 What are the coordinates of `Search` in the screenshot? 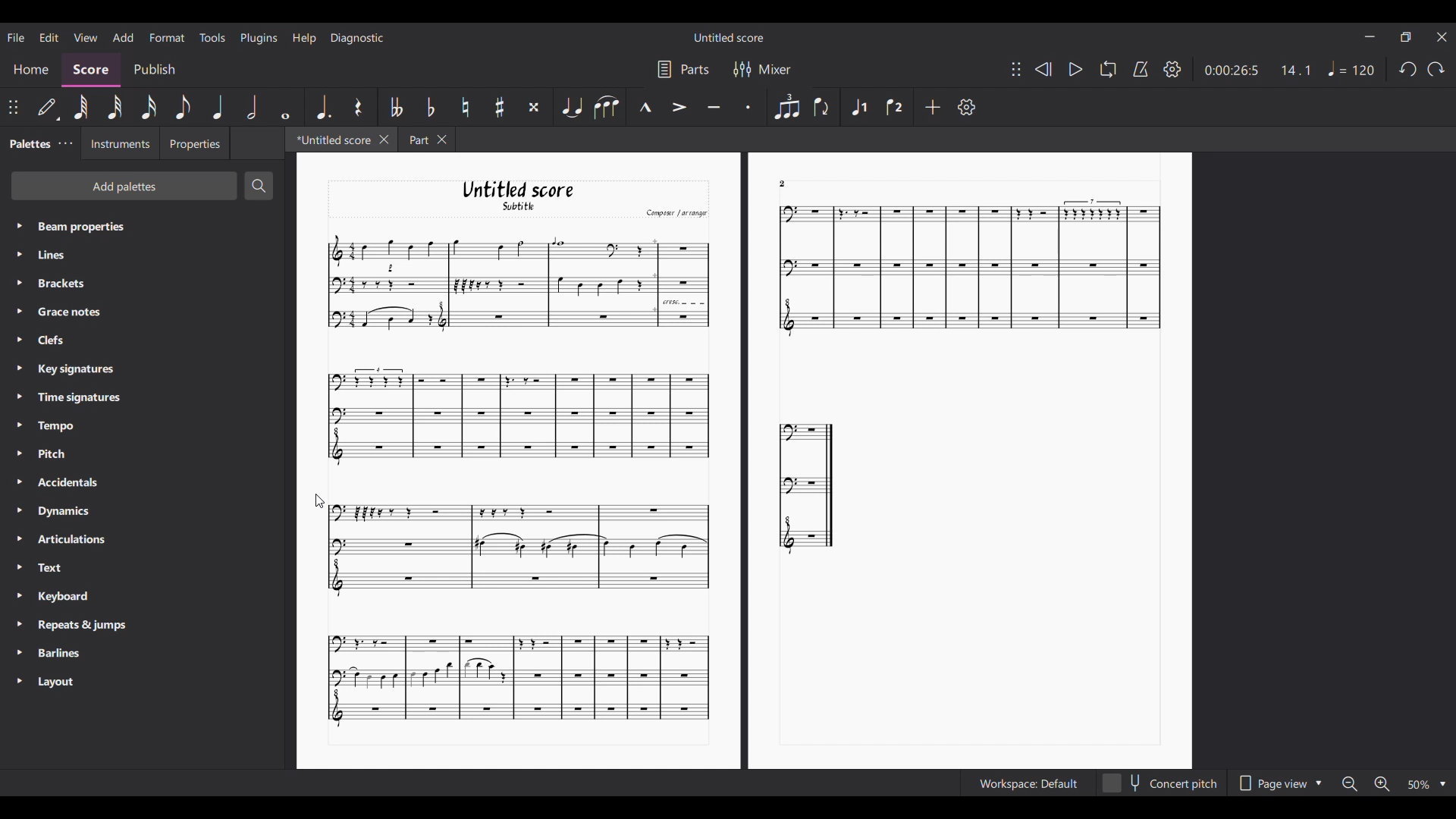 It's located at (259, 186).